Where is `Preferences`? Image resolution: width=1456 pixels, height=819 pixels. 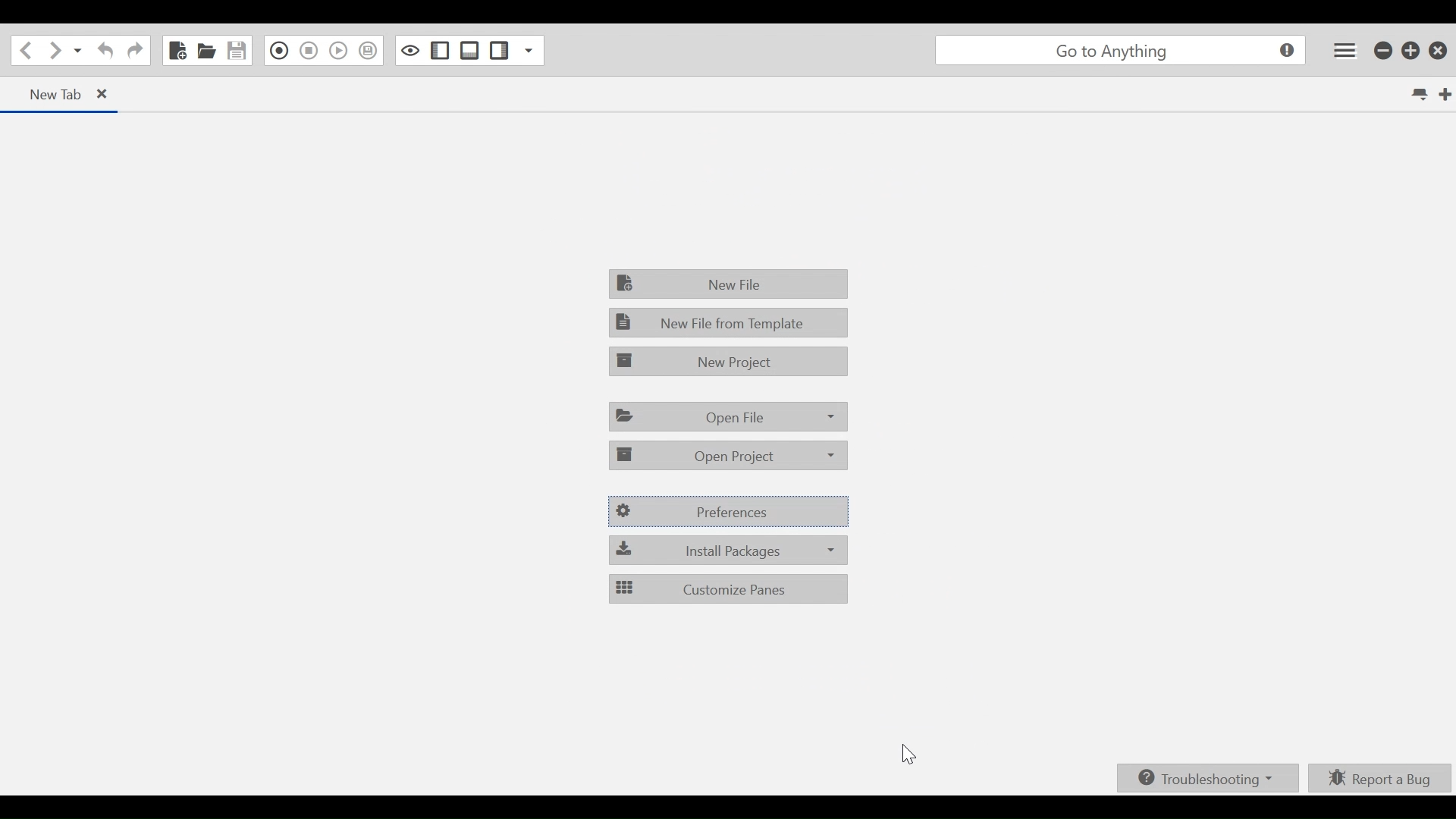
Preferences is located at coordinates (730, 512).